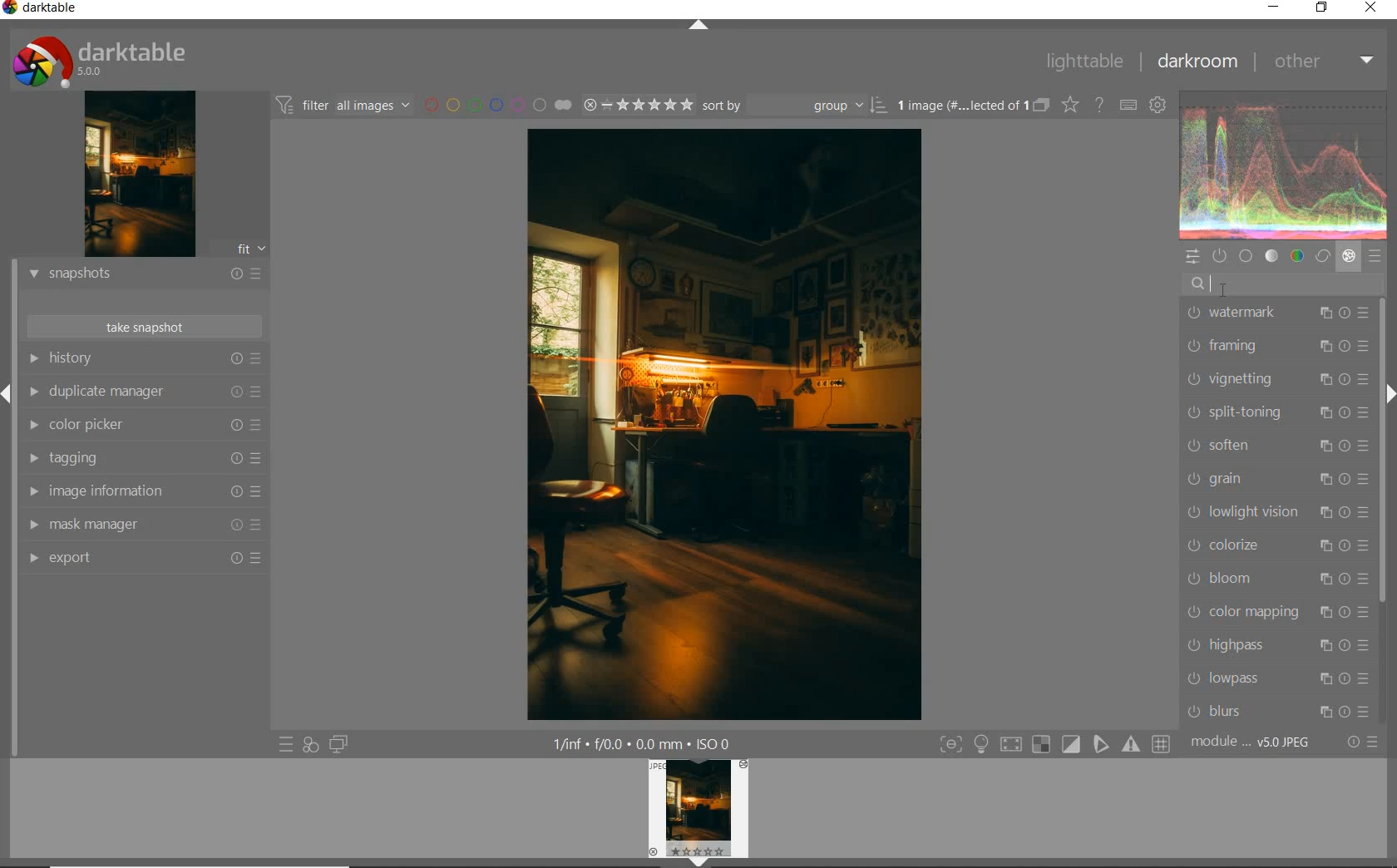 The width and height of the screenshot is (1397, 868). Describe the element at coordinates (497, 106) in the screenshot. I see `filter by image color` at that location.